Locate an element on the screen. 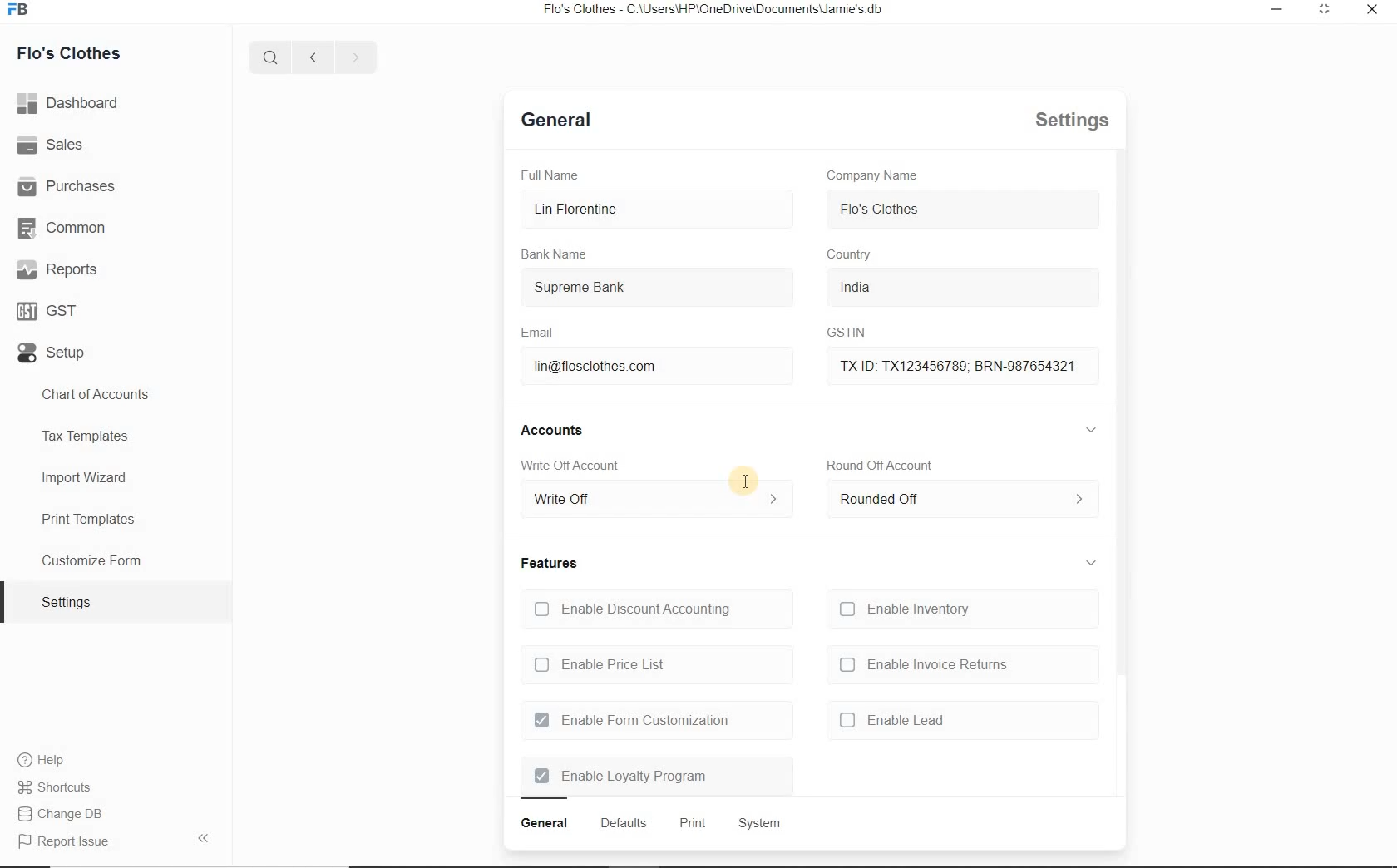  Flo's Clothes is located at coordinates (71, 52).